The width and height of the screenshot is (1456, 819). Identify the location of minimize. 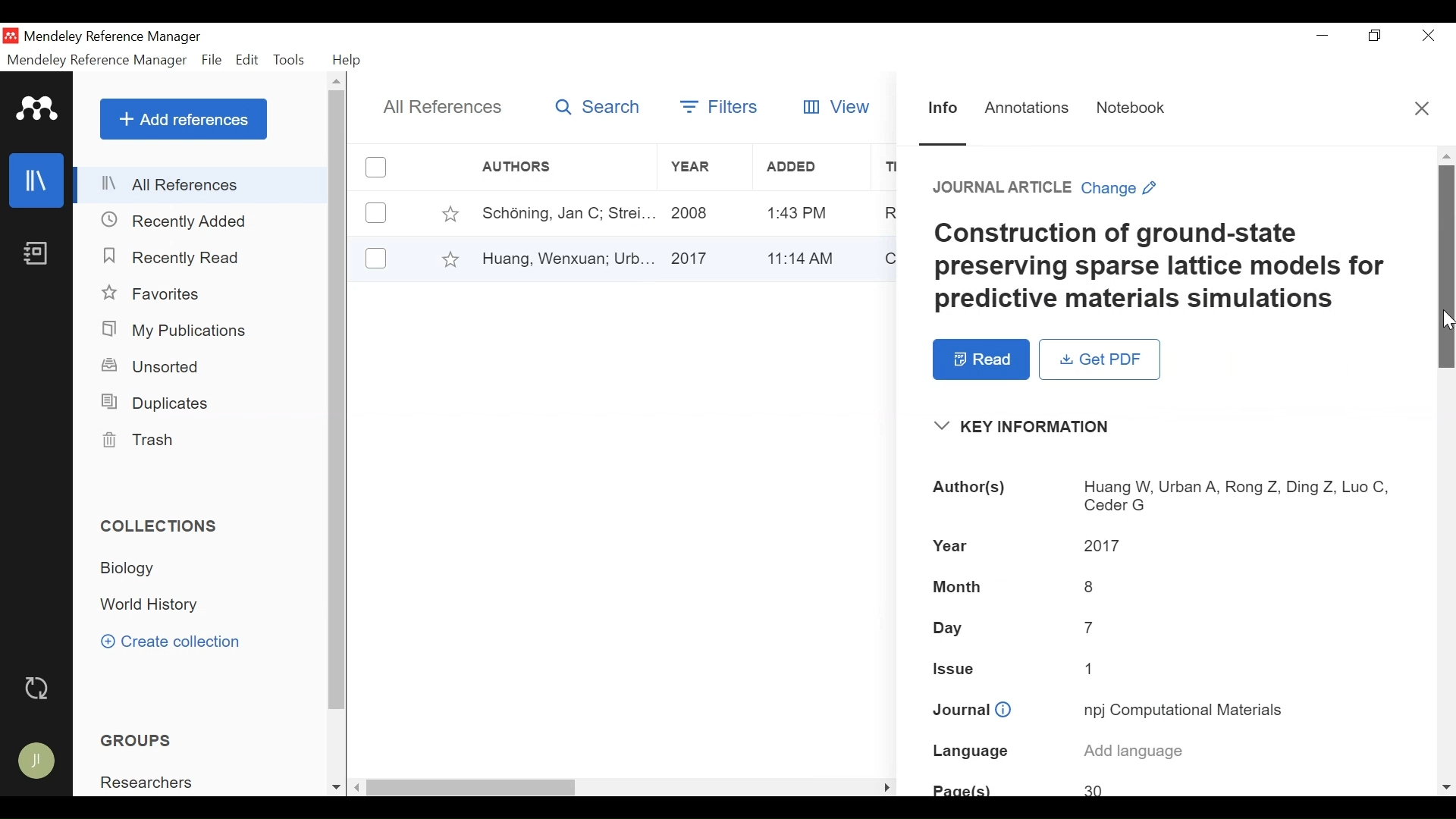
(1323, 36).